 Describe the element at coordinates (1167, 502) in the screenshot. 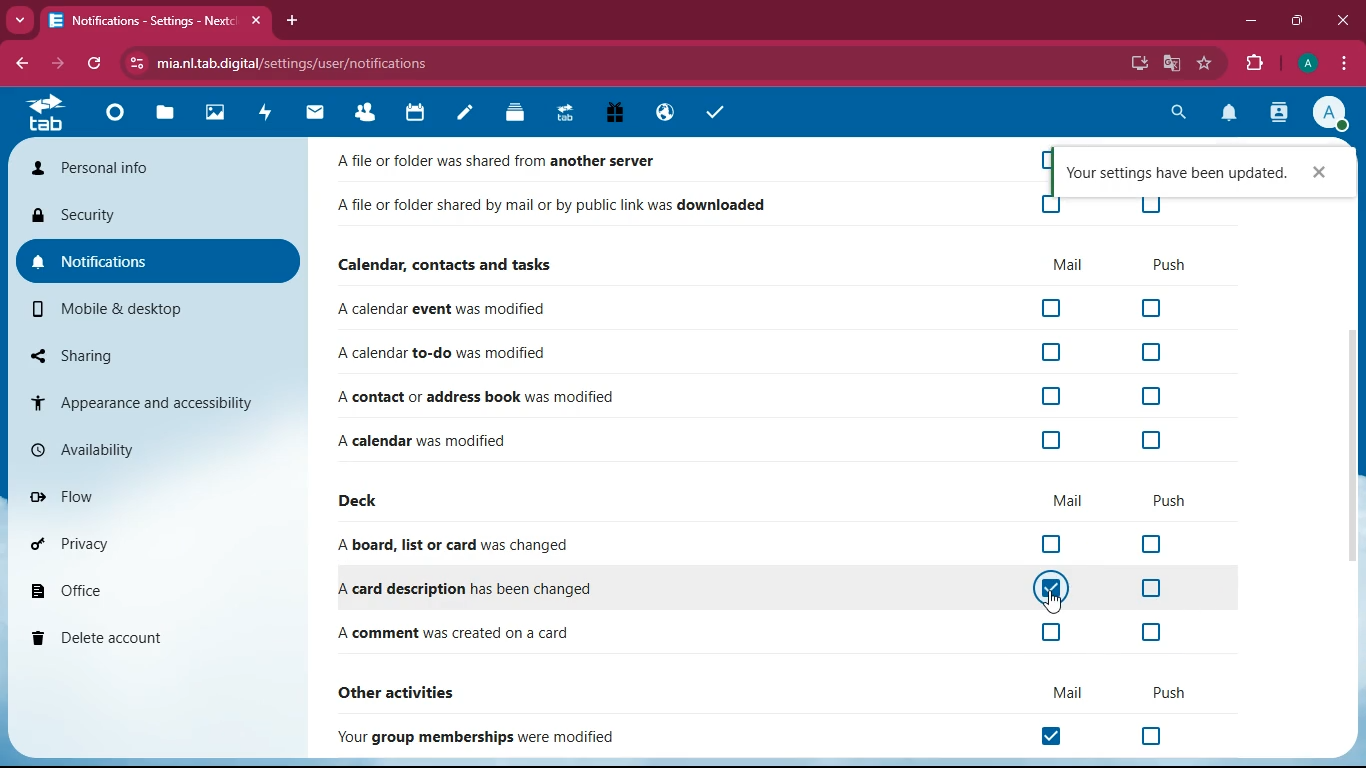

I see `push` at that location.